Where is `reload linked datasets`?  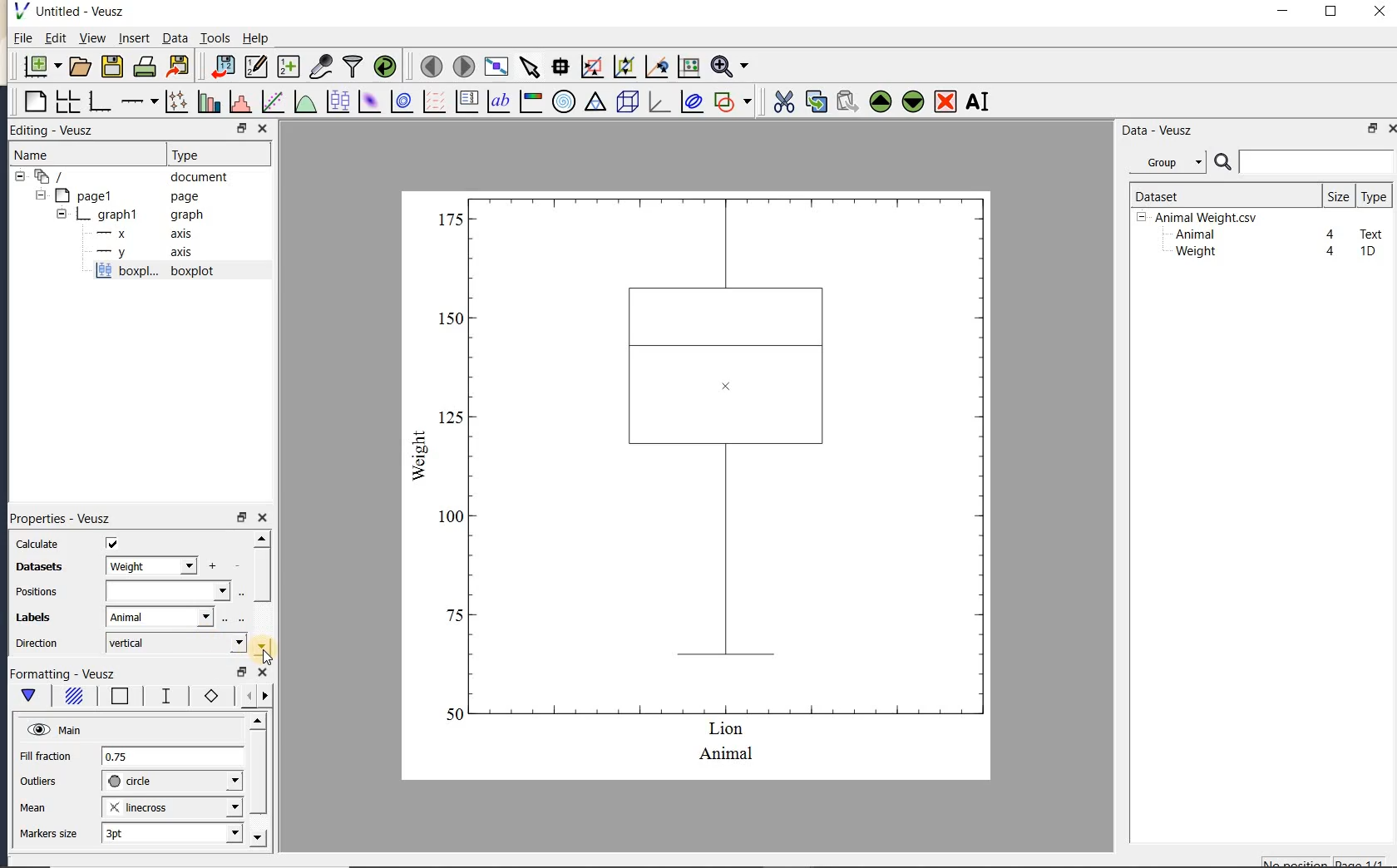
reload linked datasets is located at coordinates (385, 65).